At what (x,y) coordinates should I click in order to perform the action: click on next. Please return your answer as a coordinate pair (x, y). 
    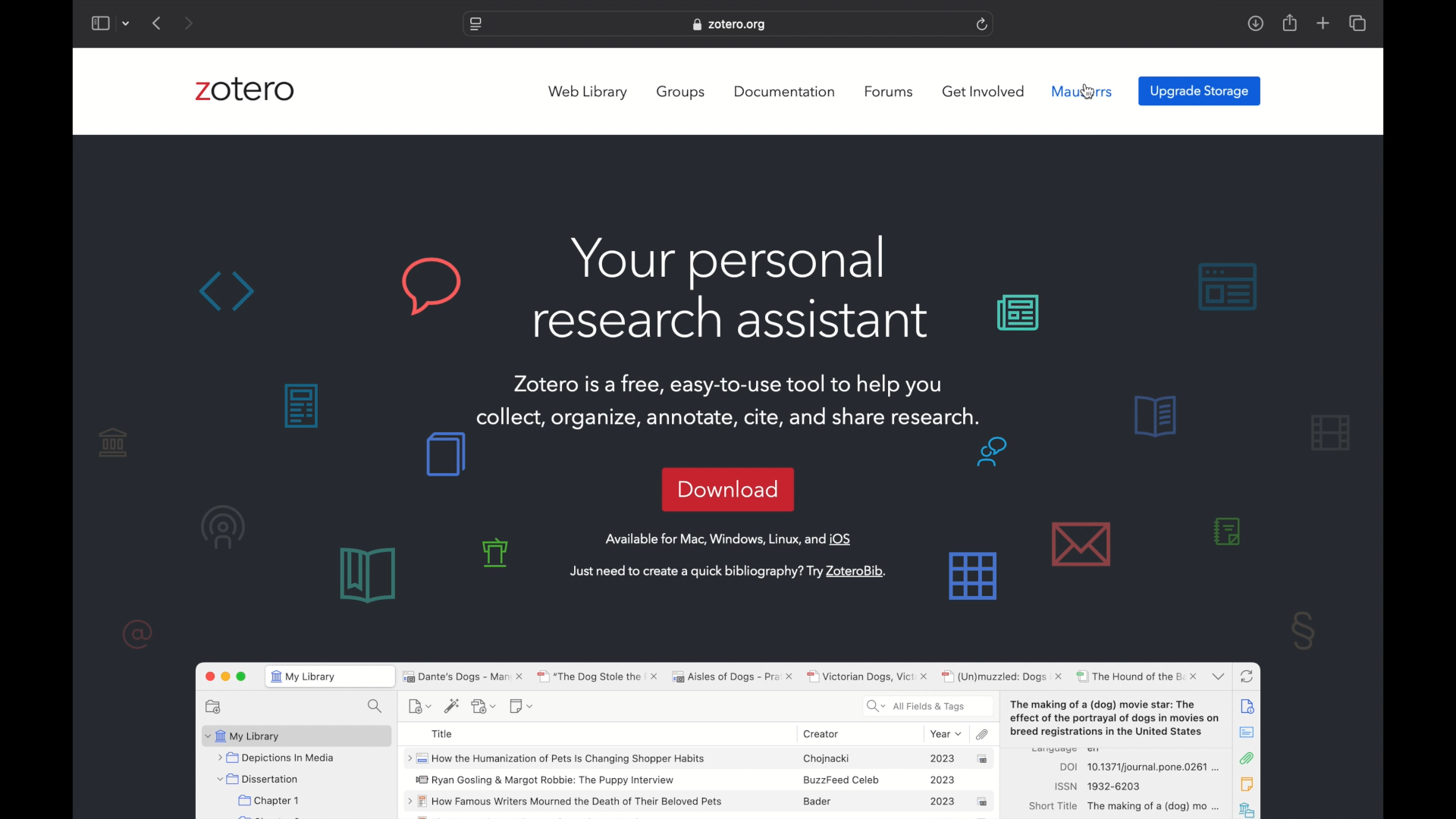
    Looking at the image, I should click on (190, 23).